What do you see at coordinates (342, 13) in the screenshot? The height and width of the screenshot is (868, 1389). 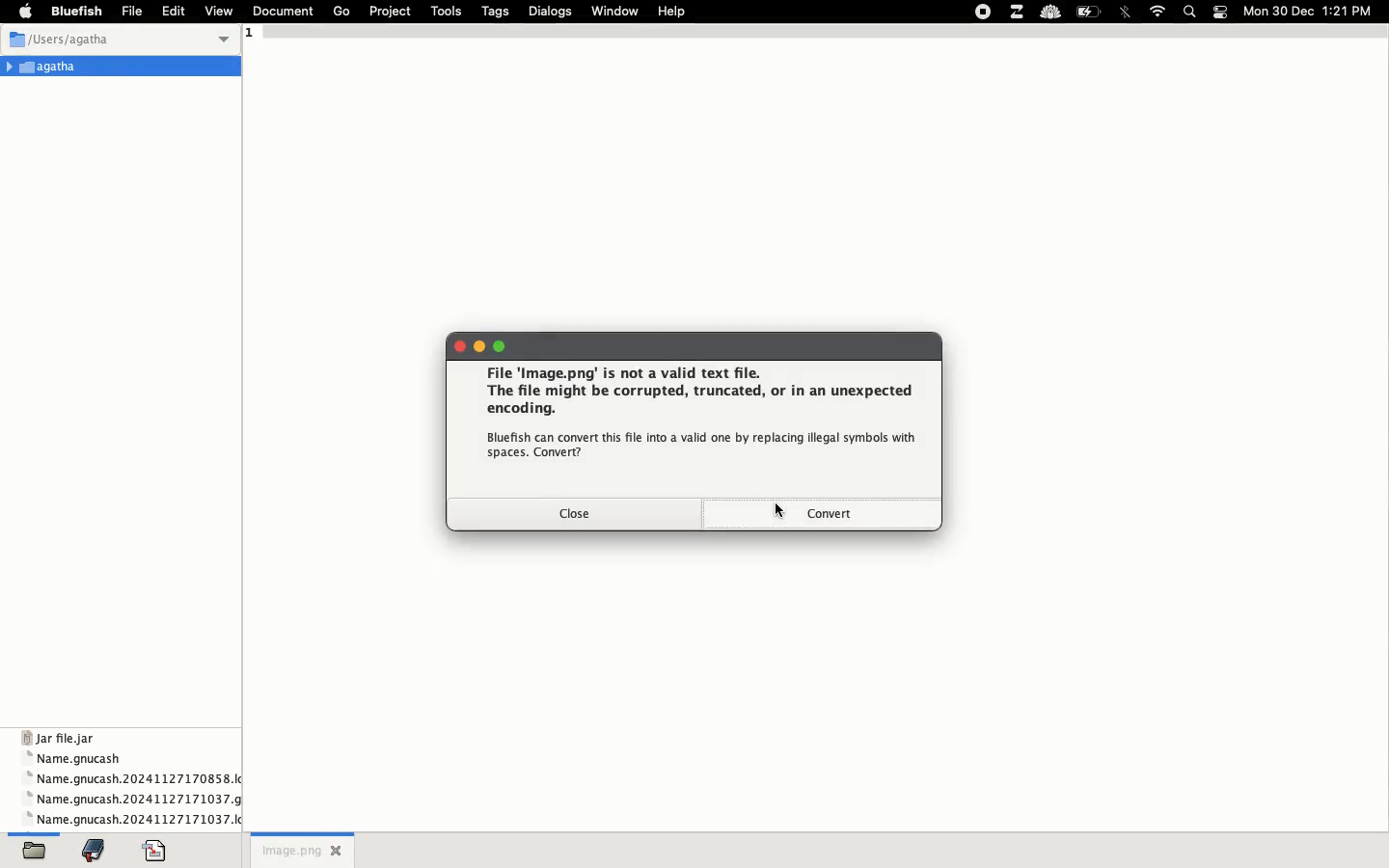 I see `go` at bounding box center [342, 13].